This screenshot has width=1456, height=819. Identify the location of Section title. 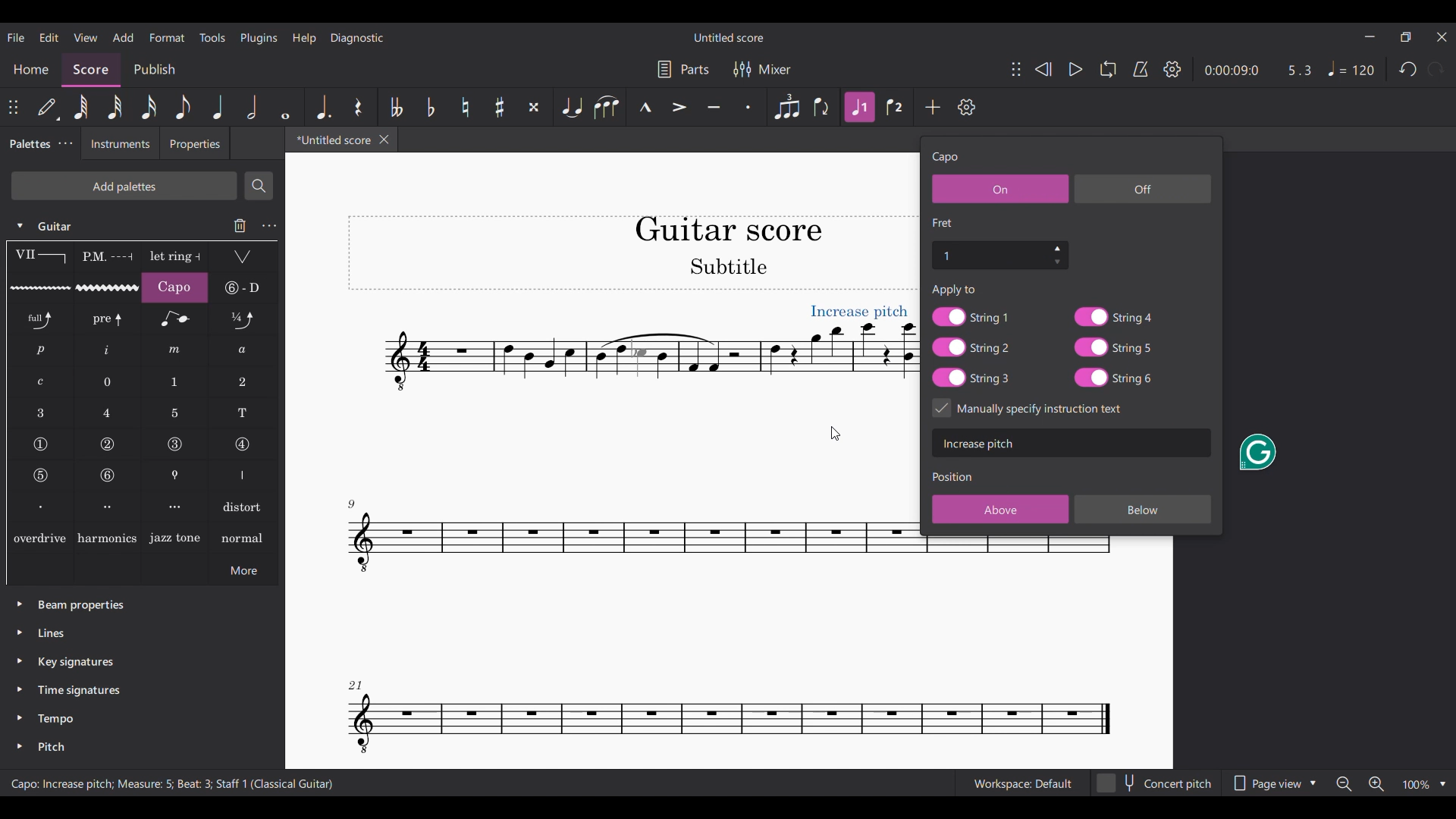
(943, 223).